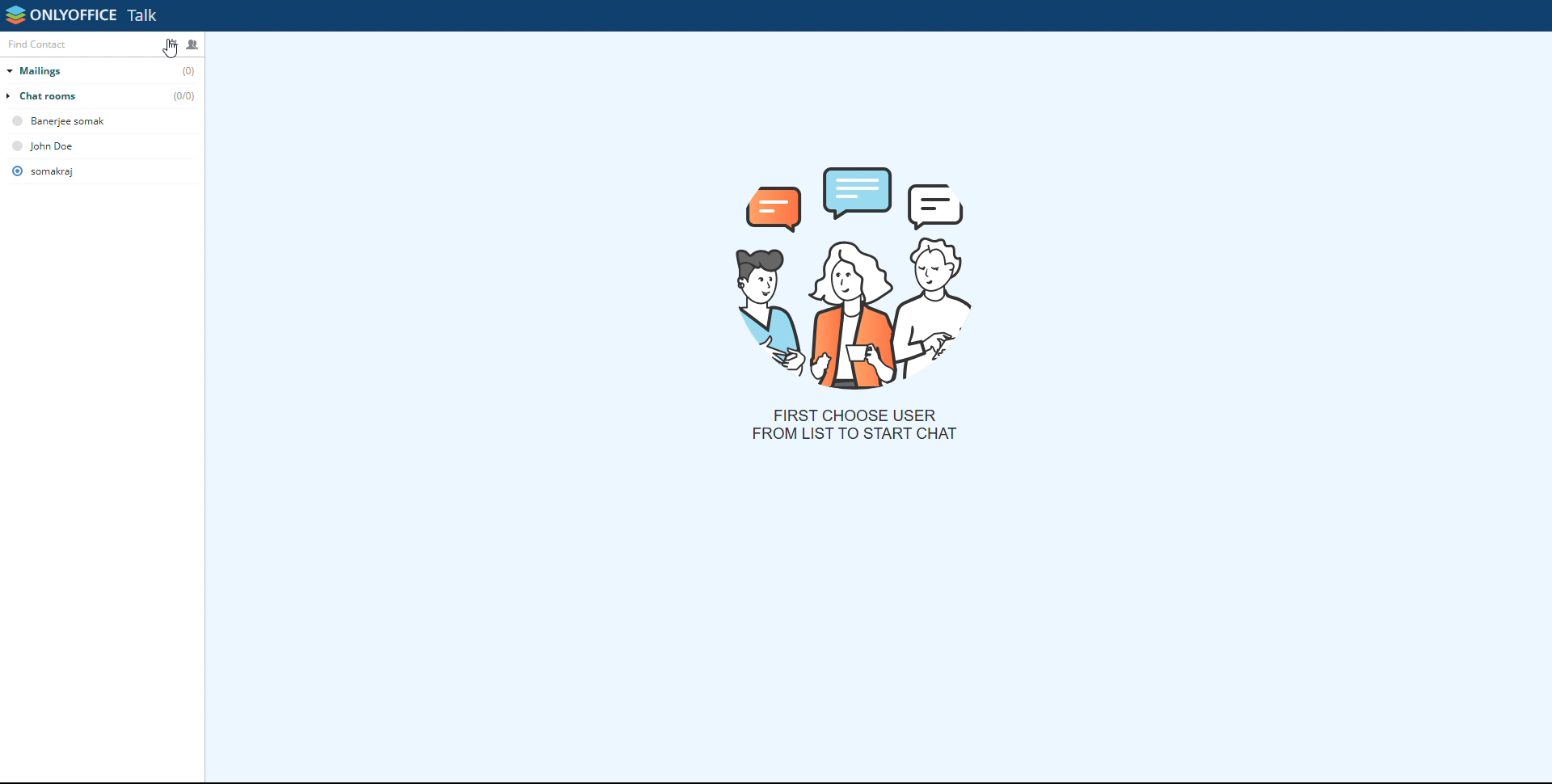 This screenshot has width=1552, height=784. I want to click on onlyoffice talk, so click(83, 15).